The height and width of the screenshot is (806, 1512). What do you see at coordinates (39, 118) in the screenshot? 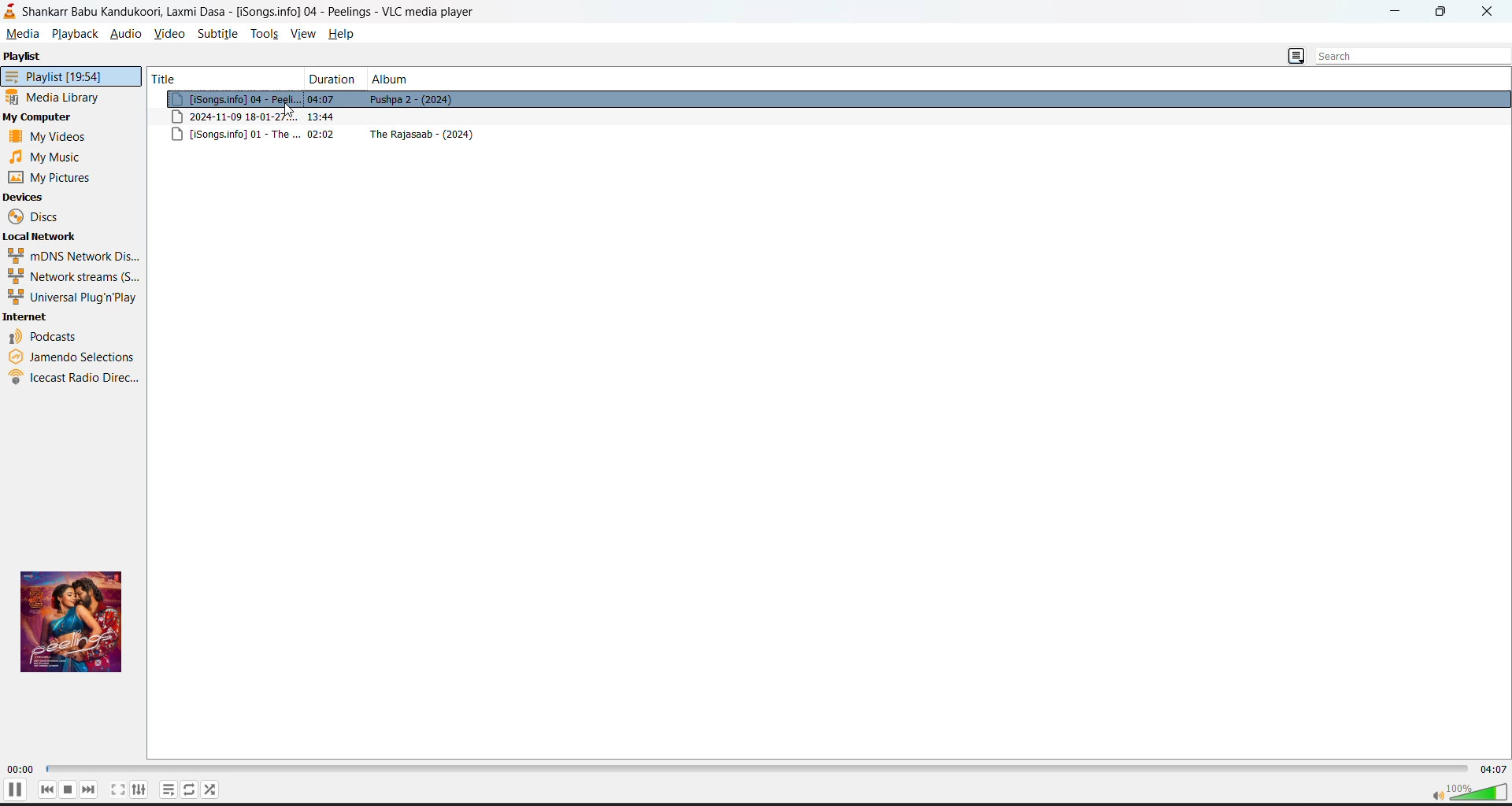
I see `my computer` at bounding box center [39, 118].